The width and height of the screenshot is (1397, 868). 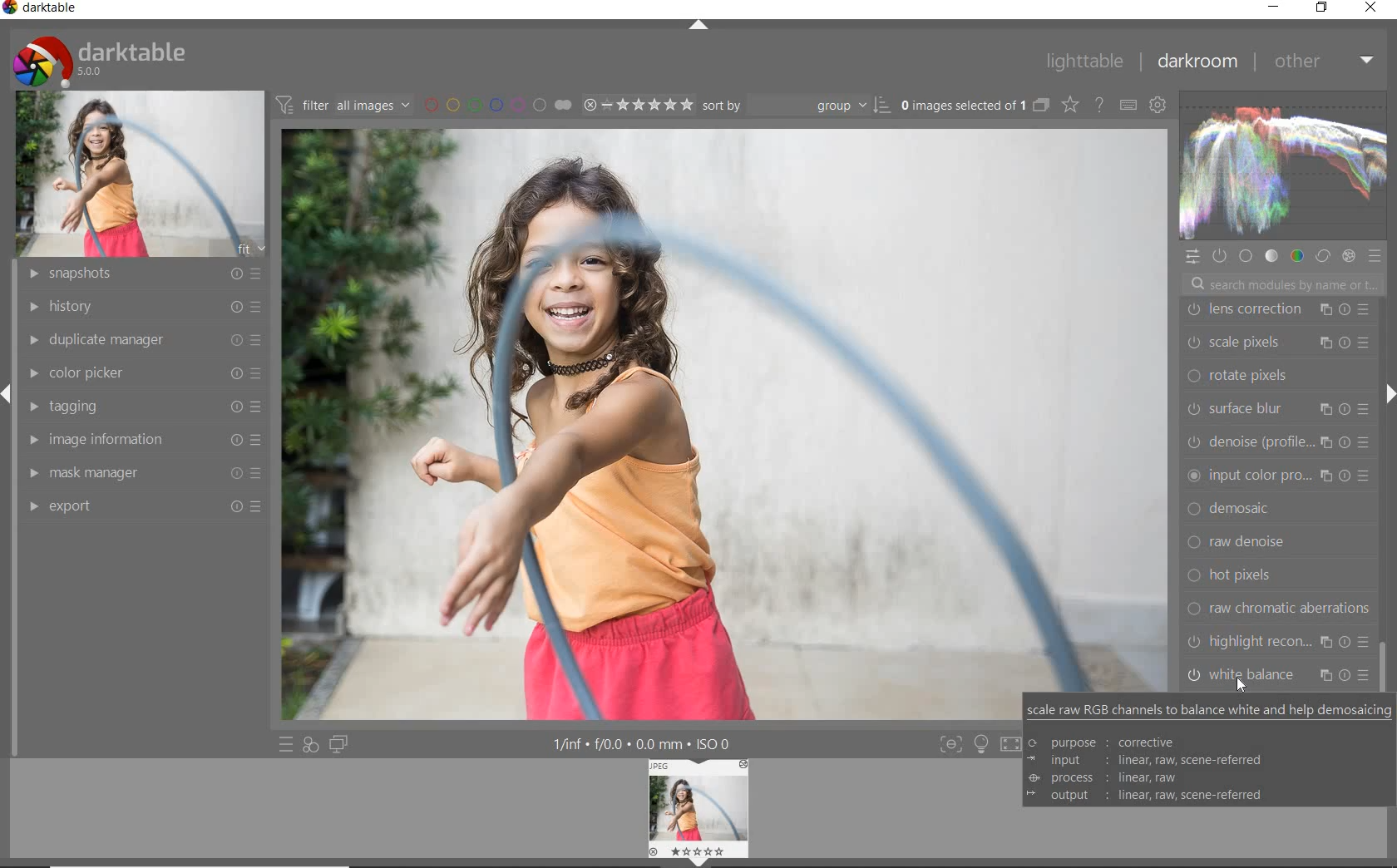 What do you see at coordinates (1098, 105) in the screenshot?
I see `enable for online help` at bounding box center [1098, 105].